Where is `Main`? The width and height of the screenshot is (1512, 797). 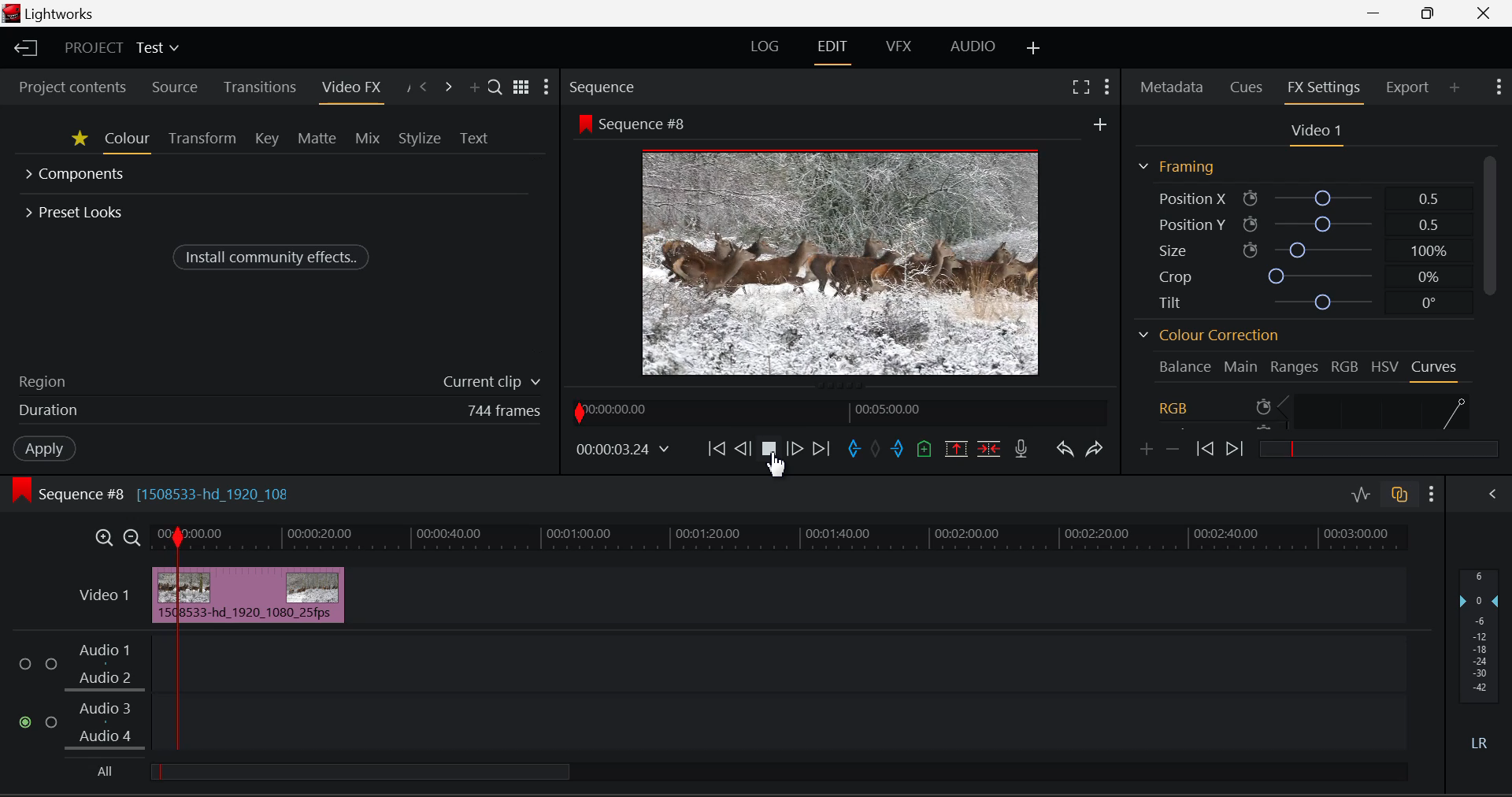 Main is located at coordinates (1241, 365).